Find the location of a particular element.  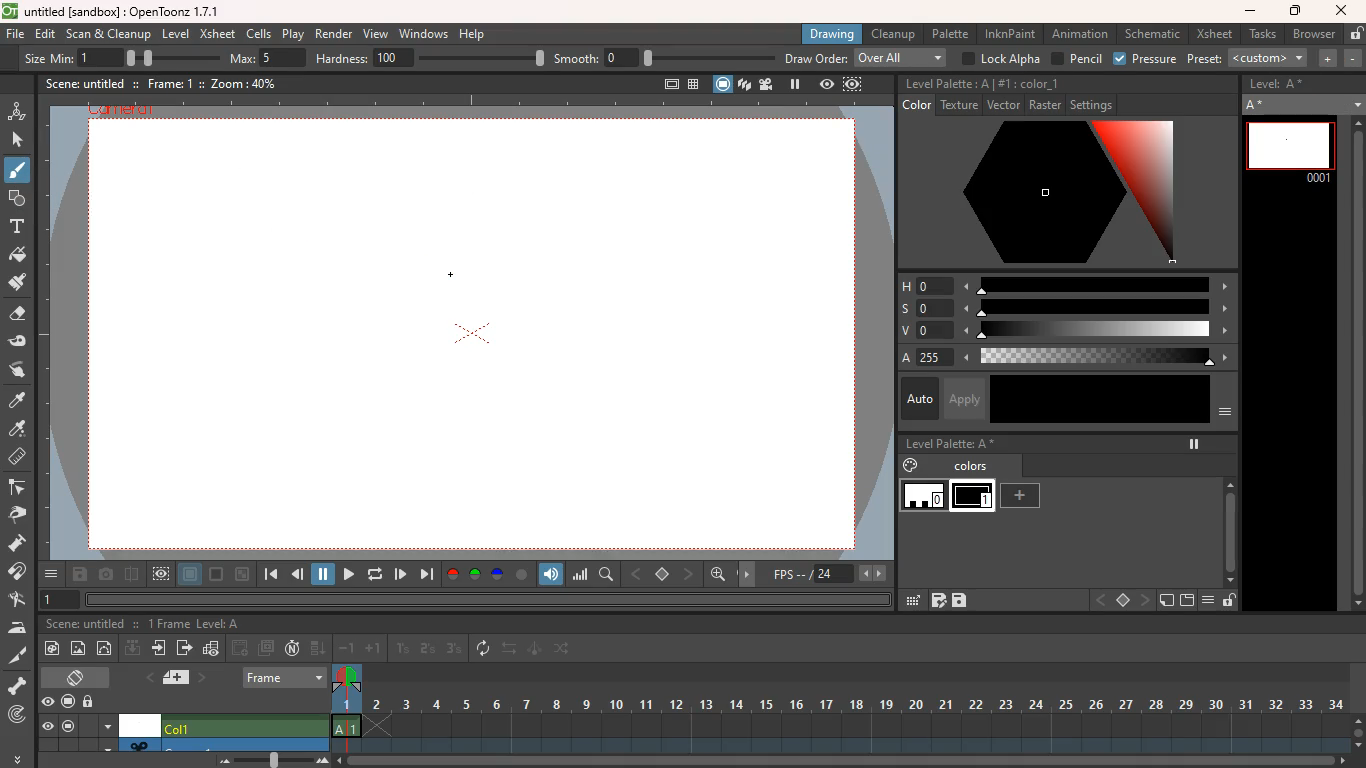

+1 is located at coordinates (374, 650).